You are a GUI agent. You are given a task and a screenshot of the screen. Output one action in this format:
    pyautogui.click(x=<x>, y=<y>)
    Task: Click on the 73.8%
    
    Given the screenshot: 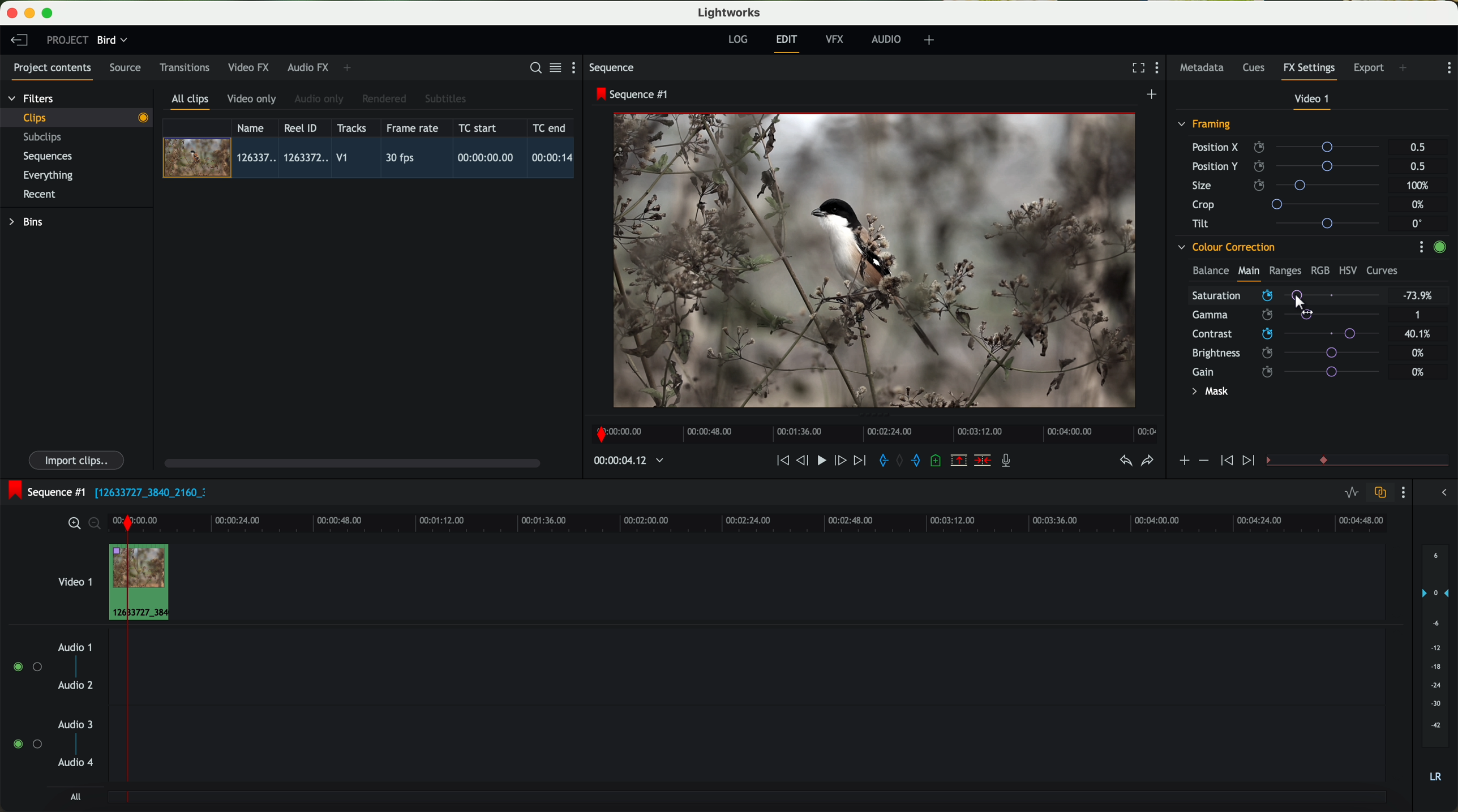 What is the action you would take?
    pyautogui.click(x=1418, y=296)
    